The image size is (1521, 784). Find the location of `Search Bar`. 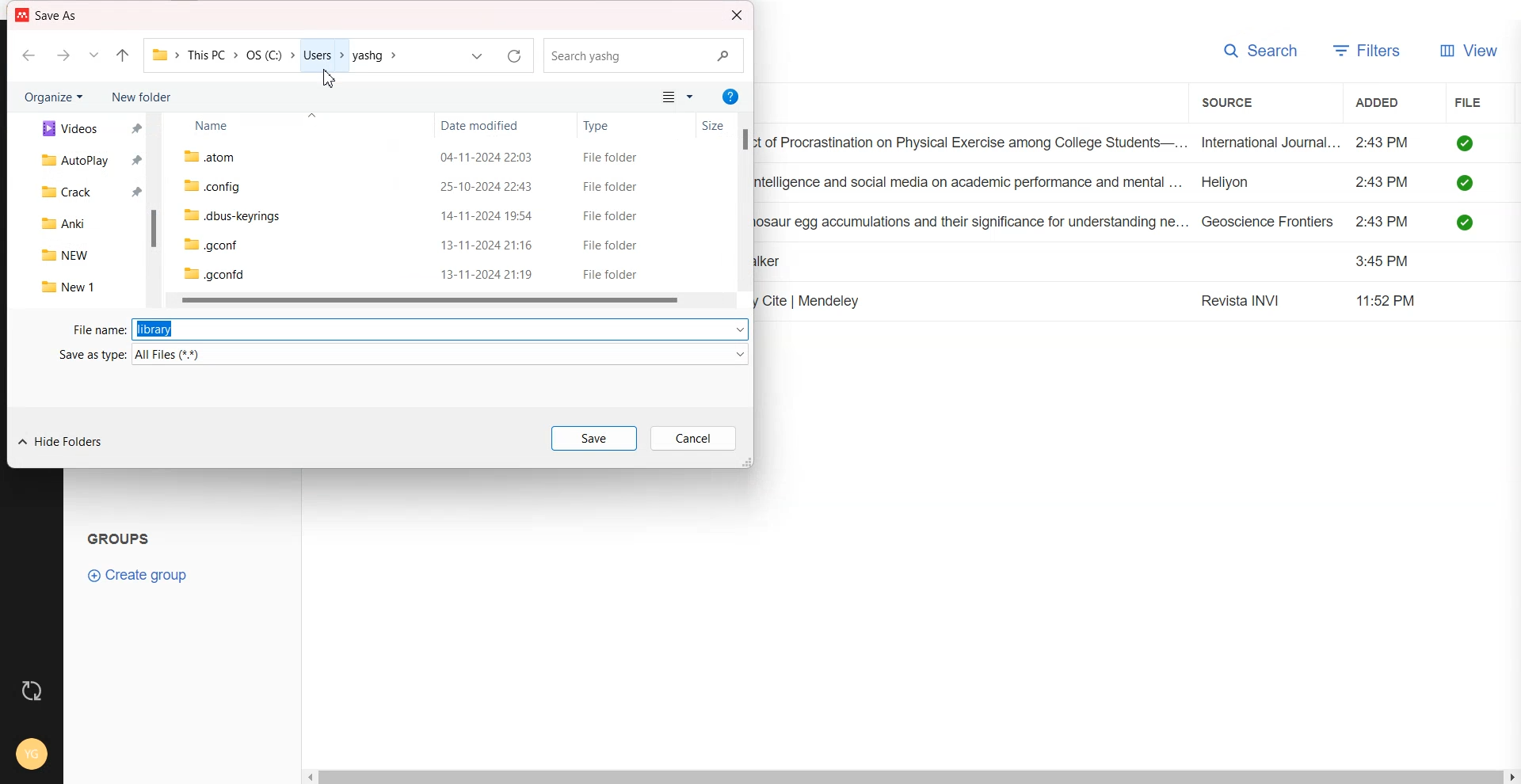

Search Bar is located at coordinates (643, 55).